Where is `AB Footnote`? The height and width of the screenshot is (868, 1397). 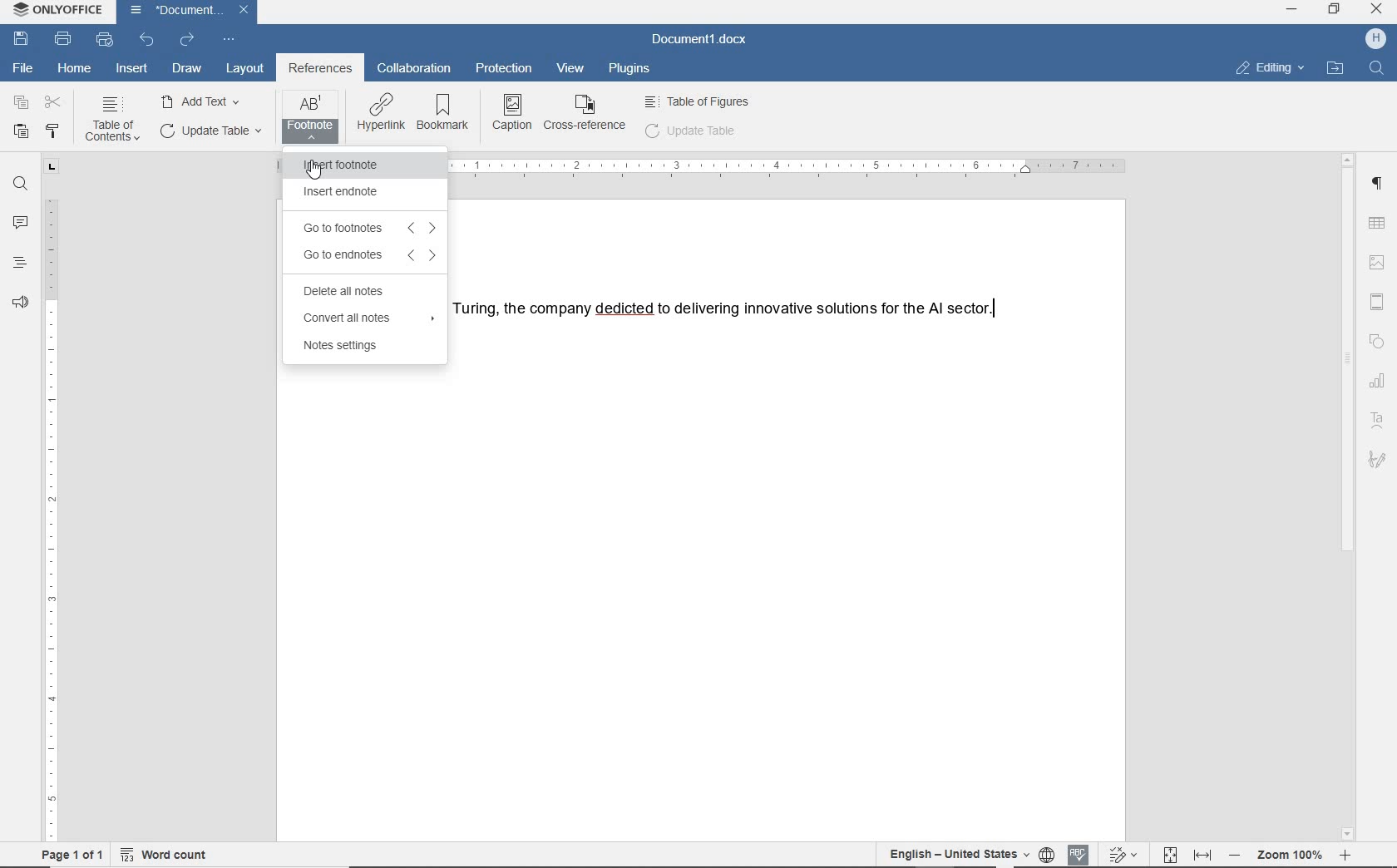 AB Footnote is located at coordinates (310, 117).